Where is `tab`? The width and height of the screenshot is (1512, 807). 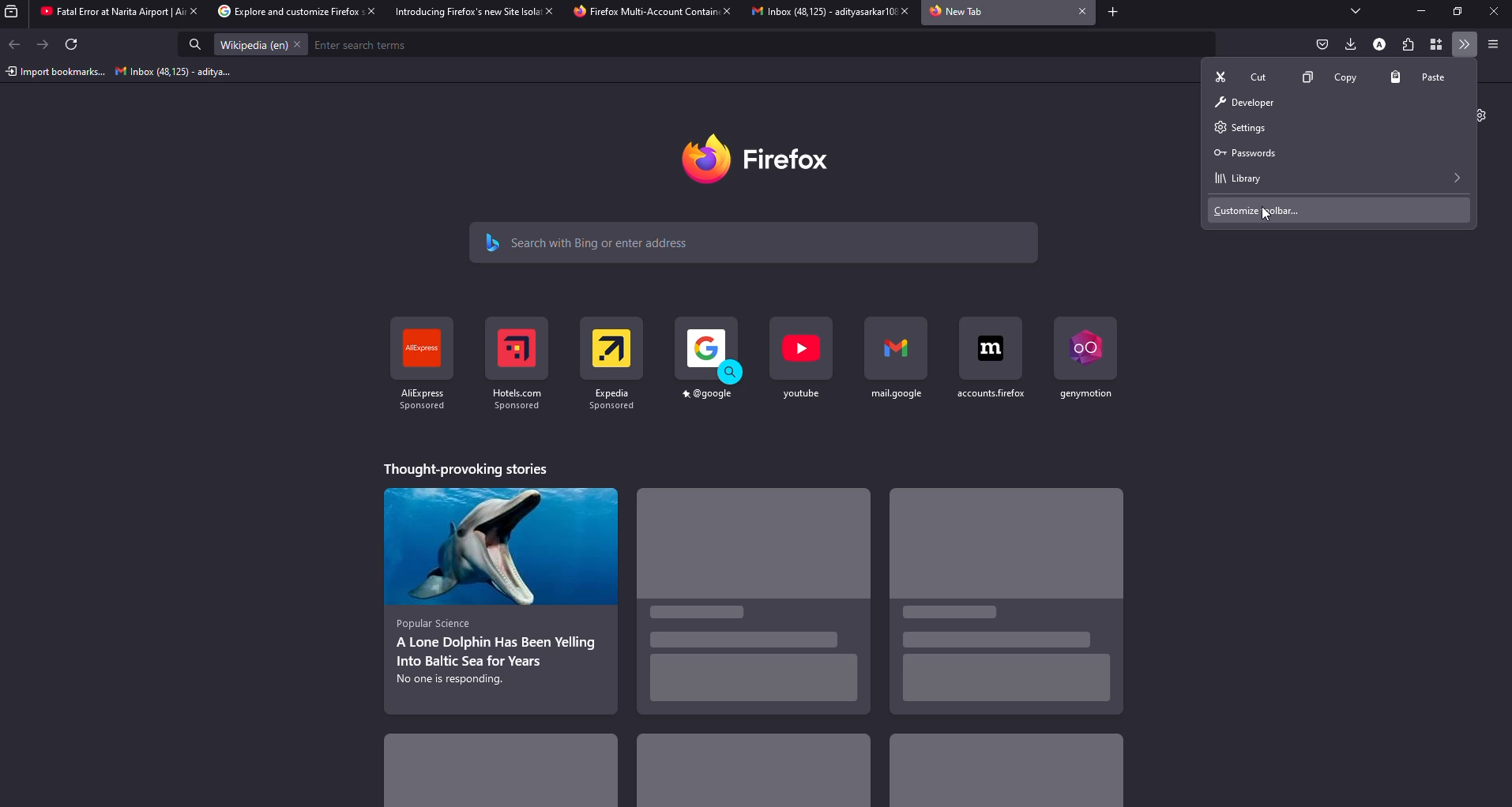 tab is located at coordinates (280, 12).